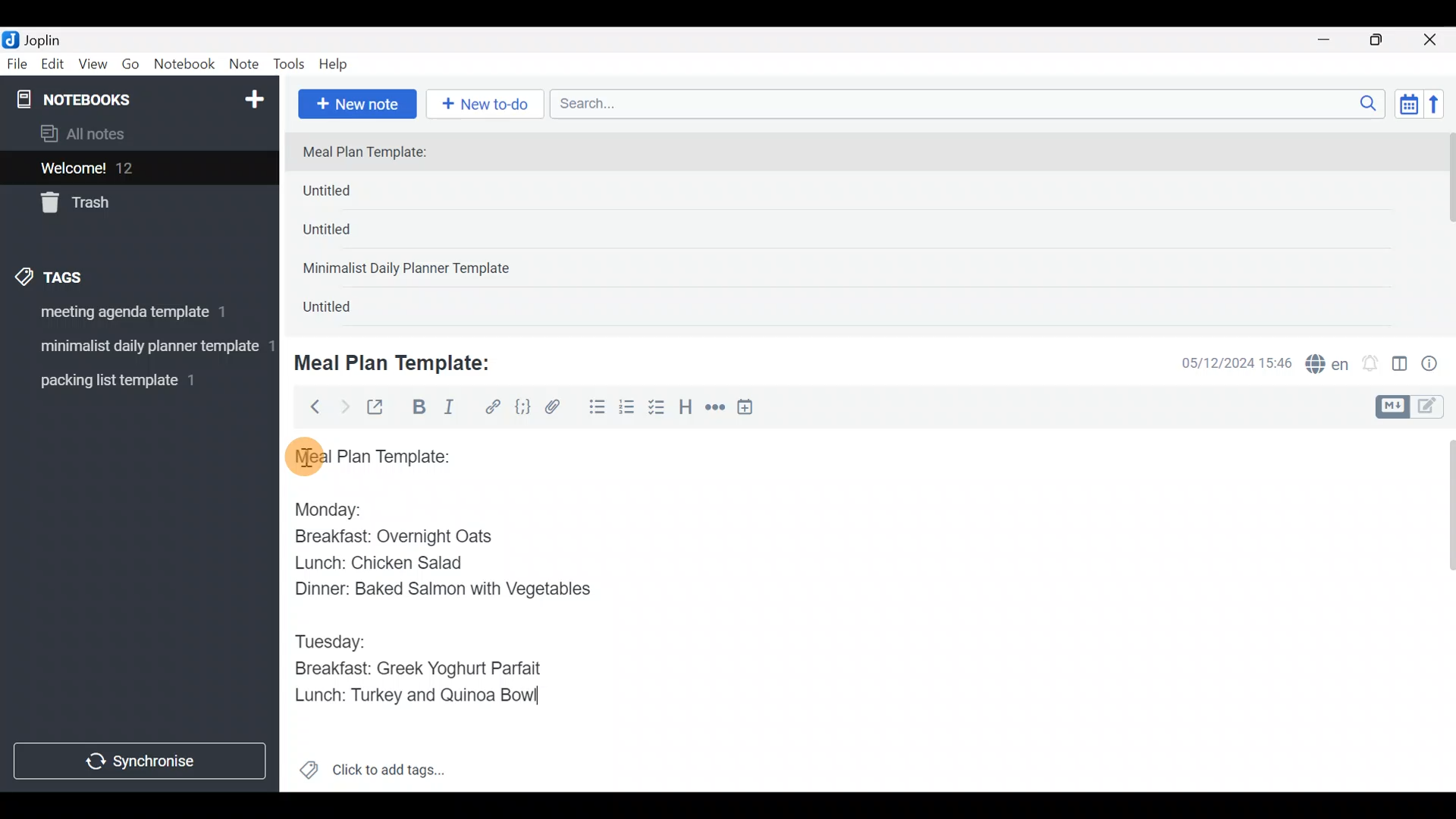 This screenshot has height=819, width=1456. I want to click on Trash, so click(130, 204).